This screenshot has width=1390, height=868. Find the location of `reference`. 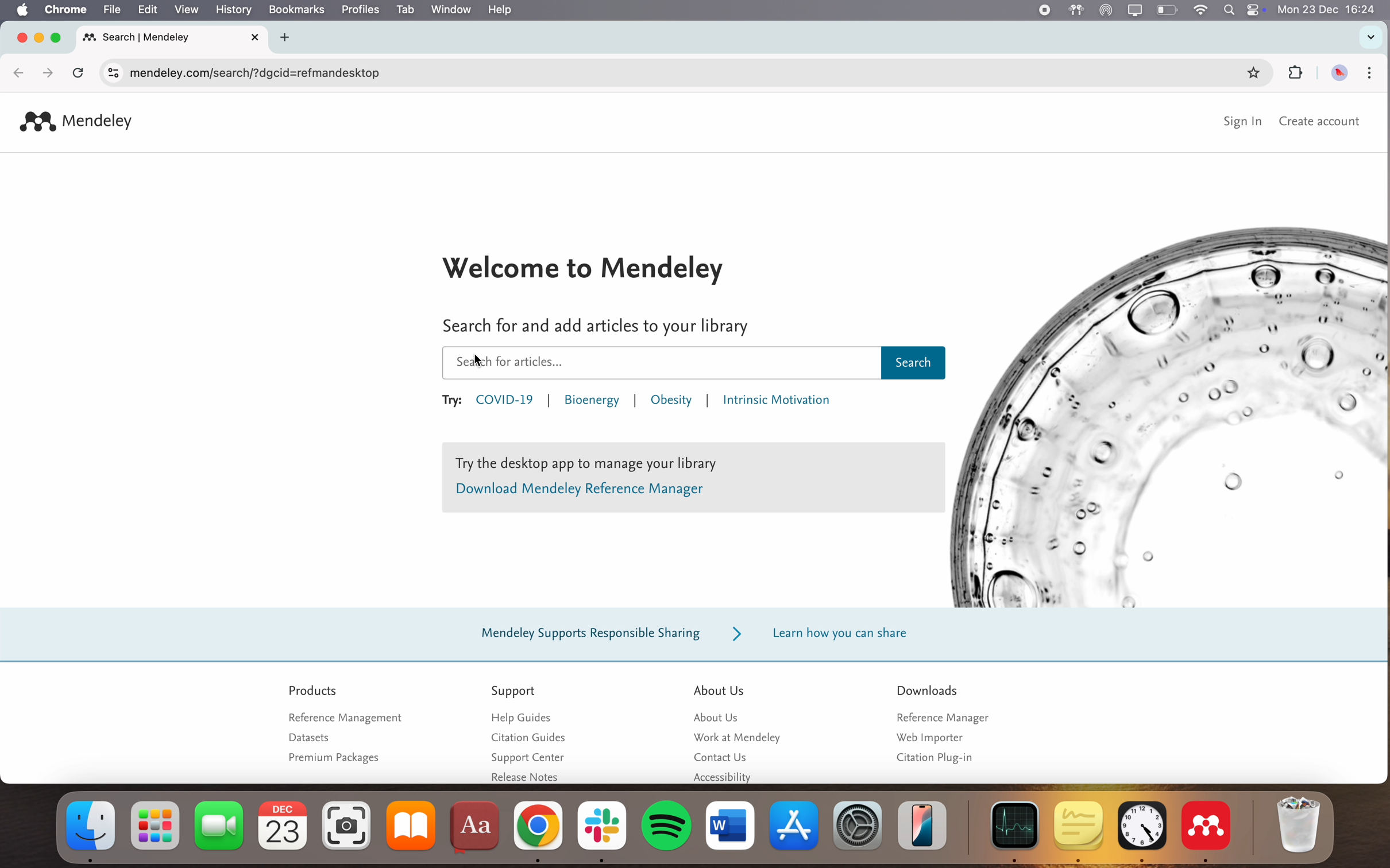

reference is located at coordinates (343, 717).